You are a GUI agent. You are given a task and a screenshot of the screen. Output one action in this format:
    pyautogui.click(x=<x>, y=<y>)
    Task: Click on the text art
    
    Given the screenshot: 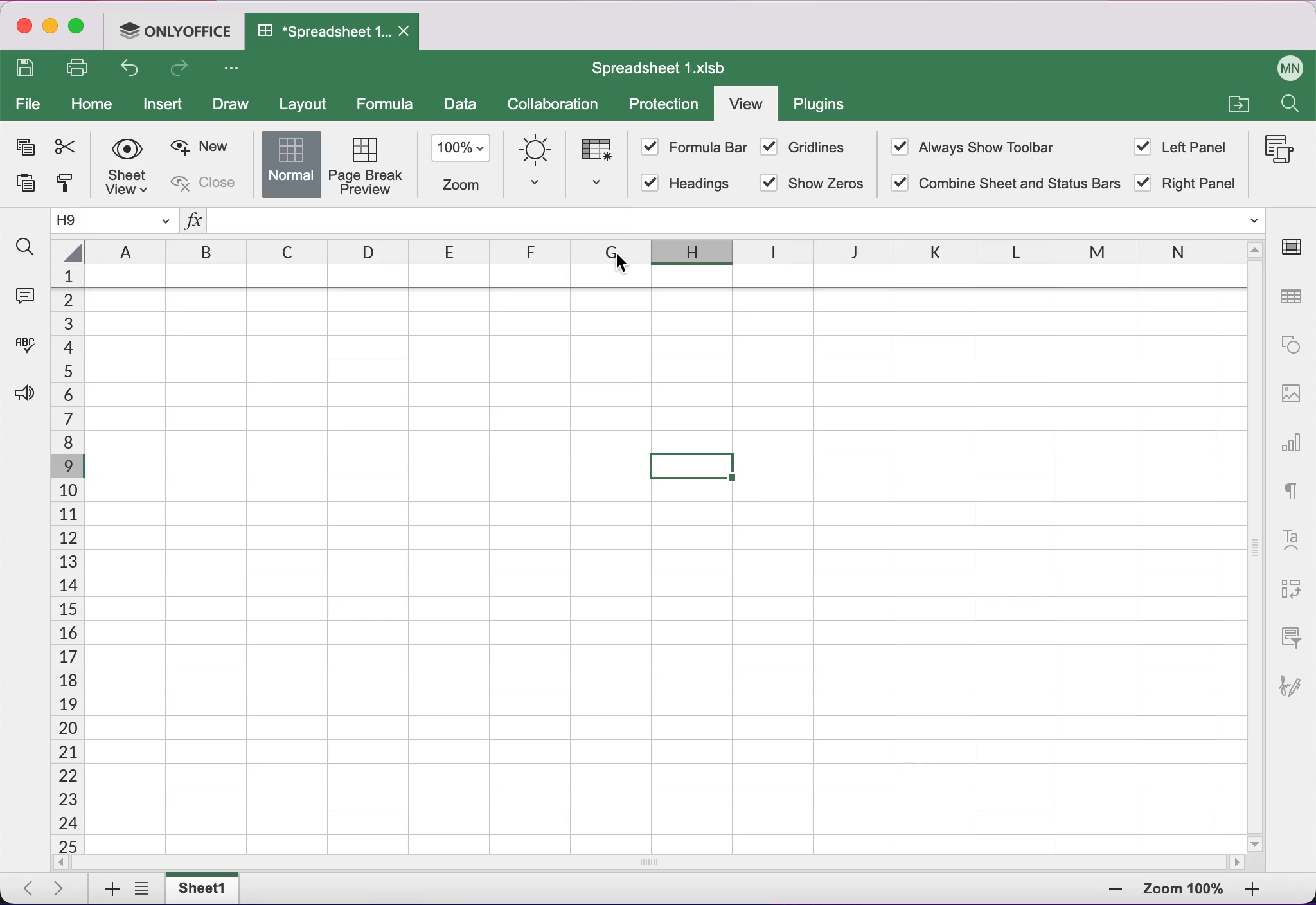 What is the action you would take?
    pyautogui.click(x=1294, y=539)
    